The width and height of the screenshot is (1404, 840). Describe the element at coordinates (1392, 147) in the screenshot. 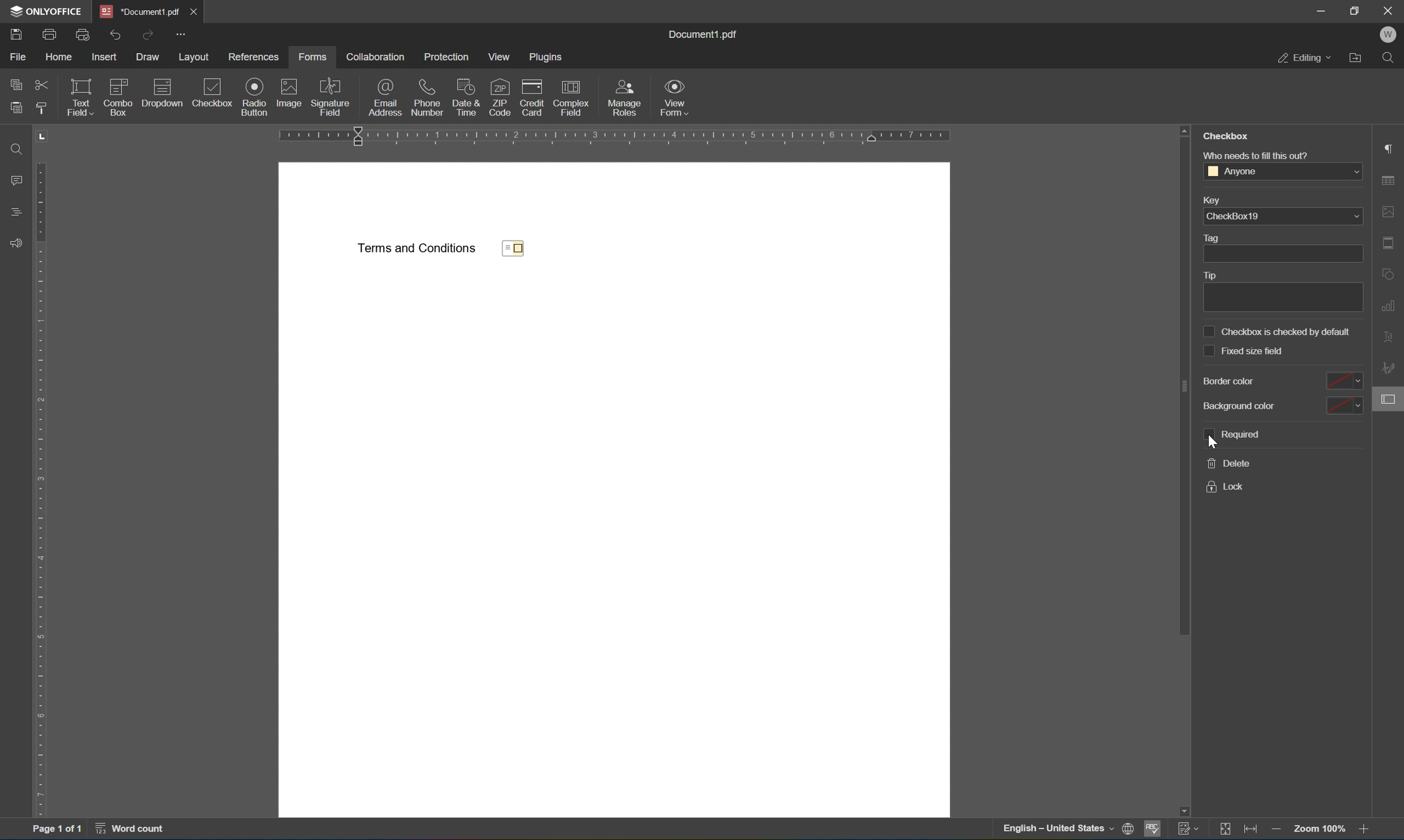

I see `paragraph settings` at that location.